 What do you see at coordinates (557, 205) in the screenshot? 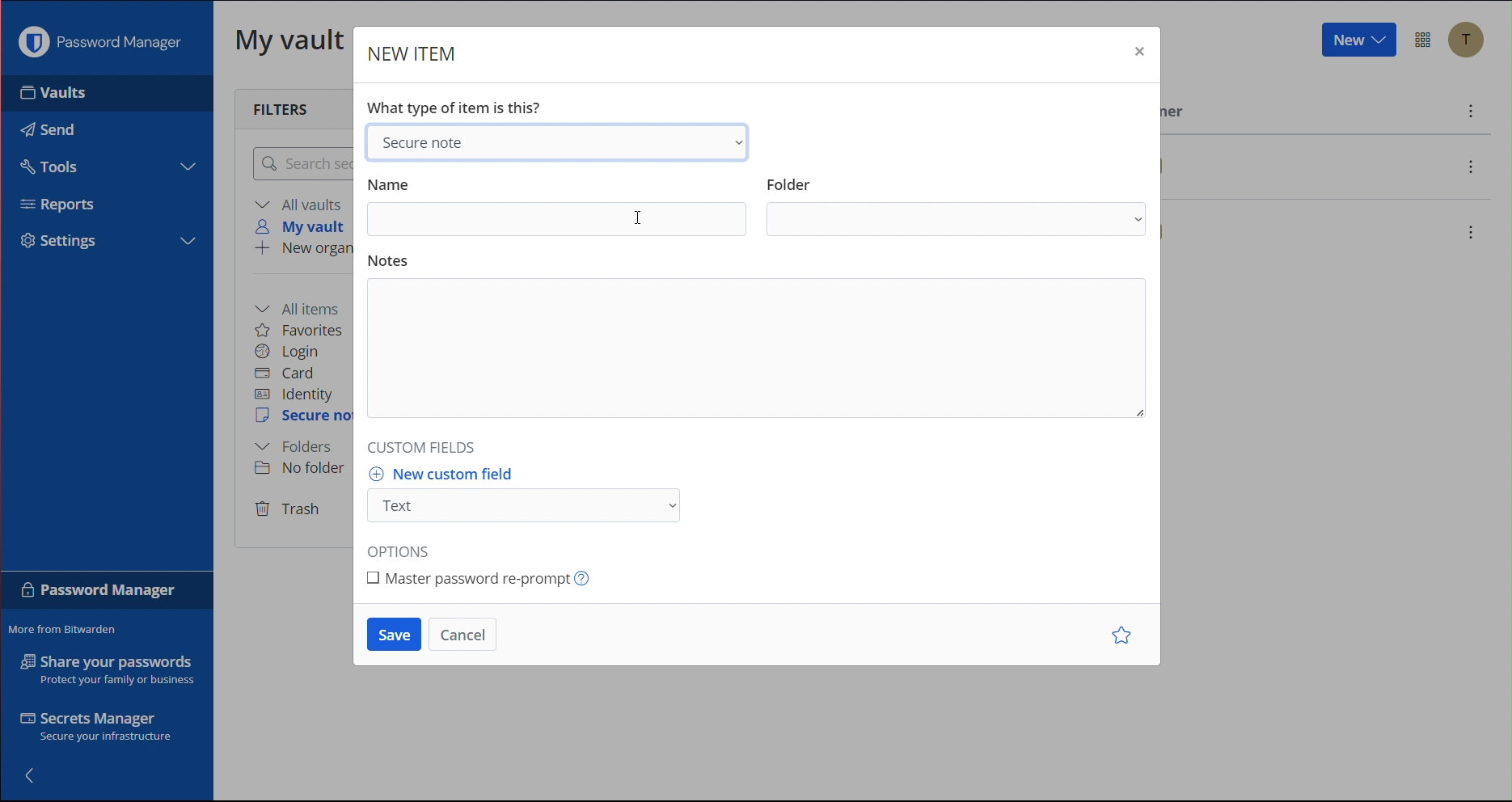
I see `Name` at bounding box center [557, 205].